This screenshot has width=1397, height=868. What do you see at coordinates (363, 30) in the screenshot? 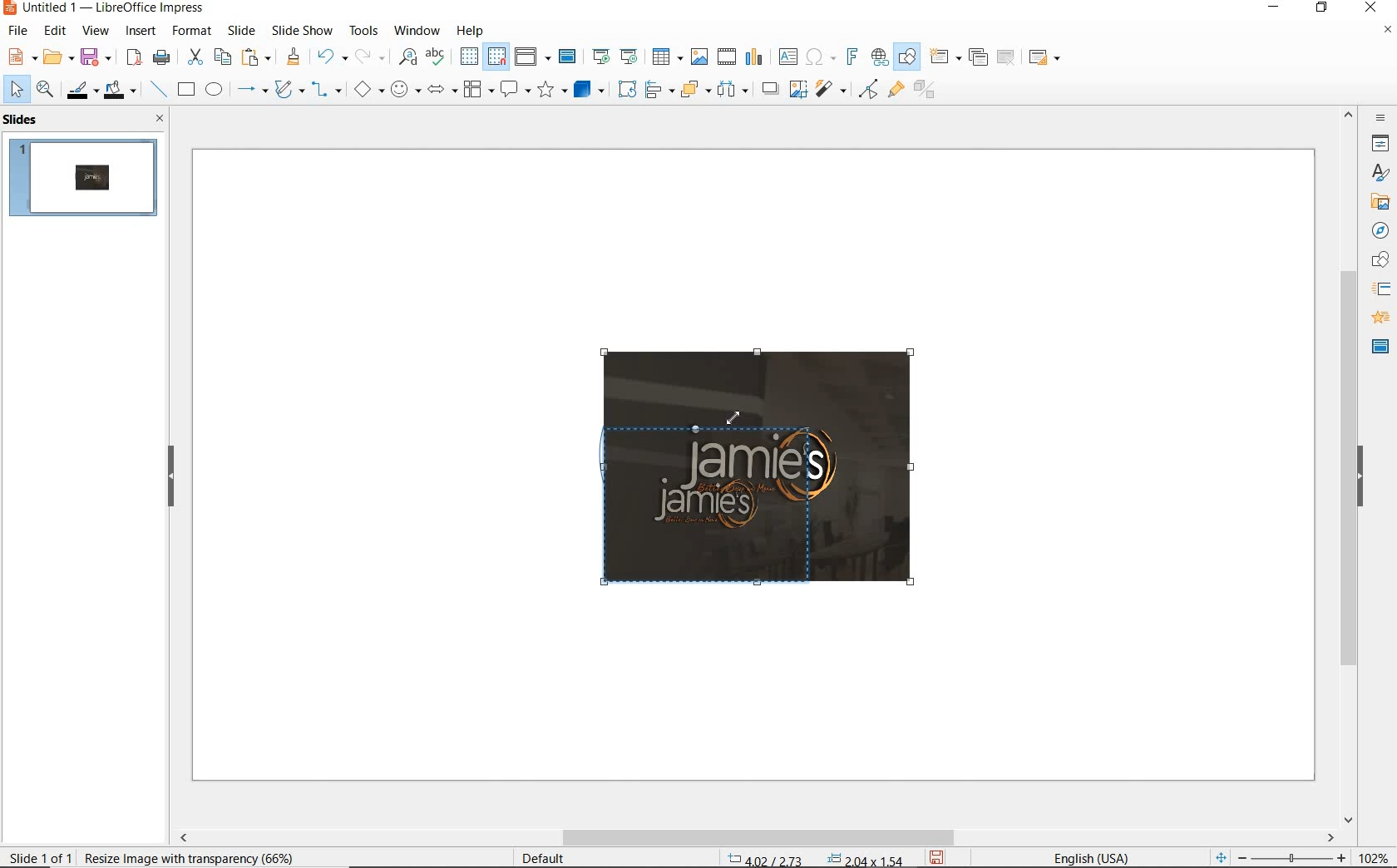
I see `tools` at bounding box center [363, 30].